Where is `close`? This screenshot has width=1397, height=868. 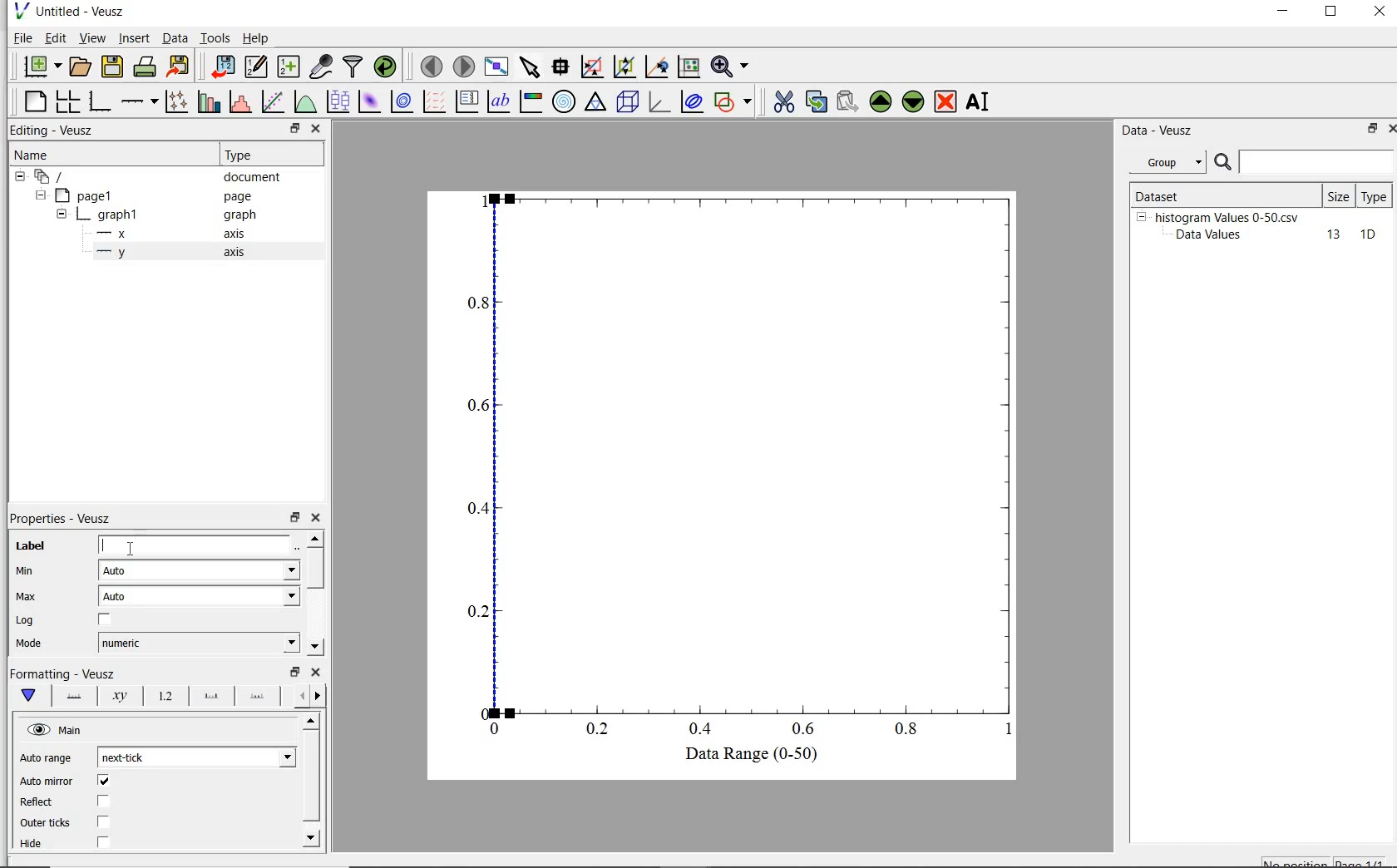 close is located at coordinates (319, 518).